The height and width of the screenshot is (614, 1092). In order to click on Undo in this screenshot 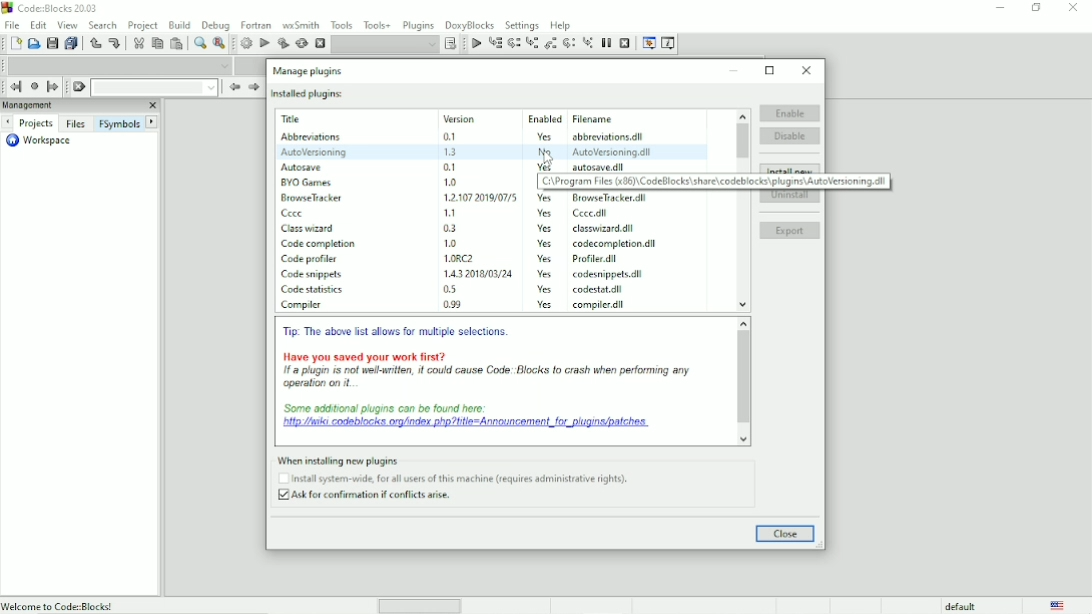, I will do `click(96, 45)`.